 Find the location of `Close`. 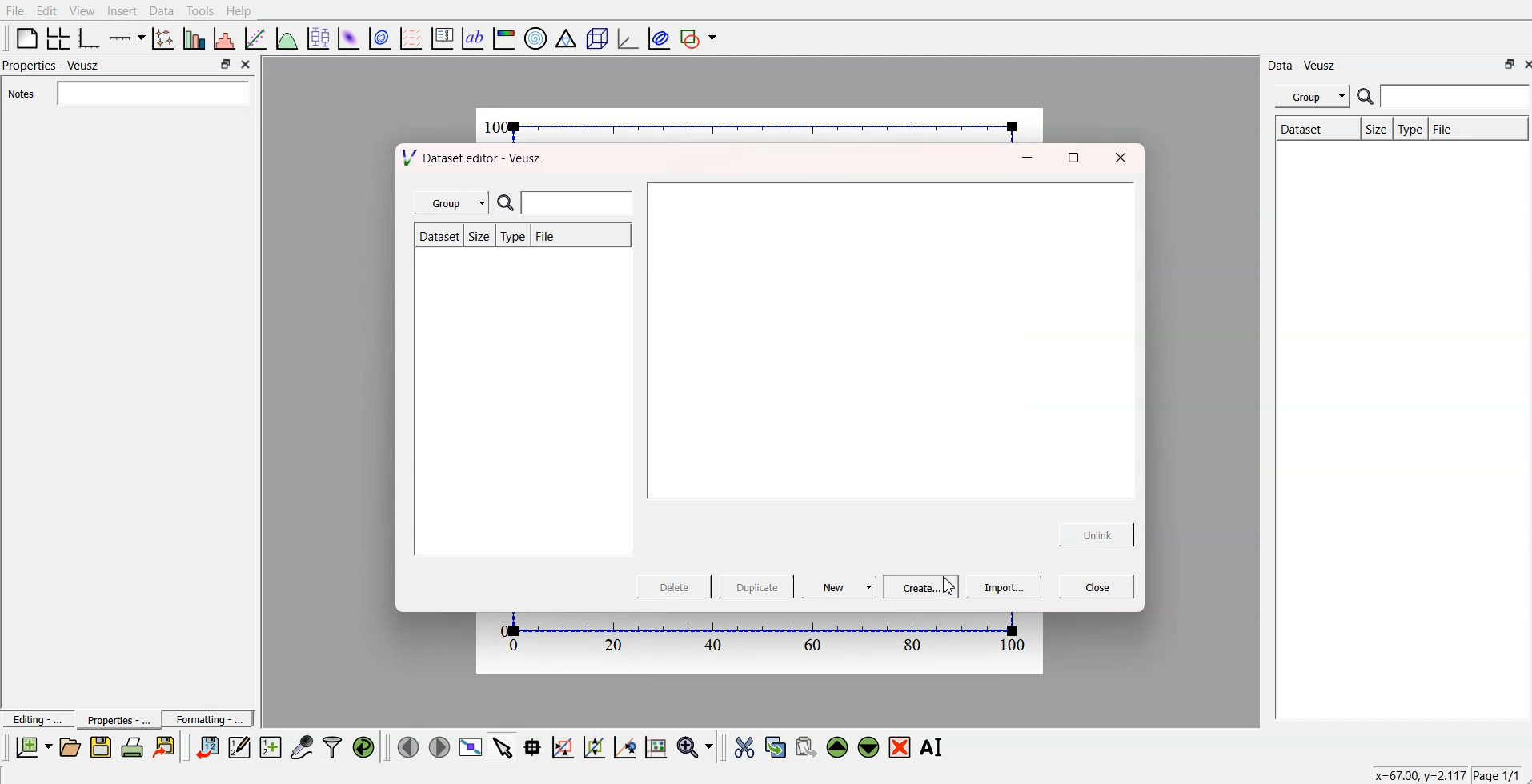

Close is located at coordinates (1098, 585).